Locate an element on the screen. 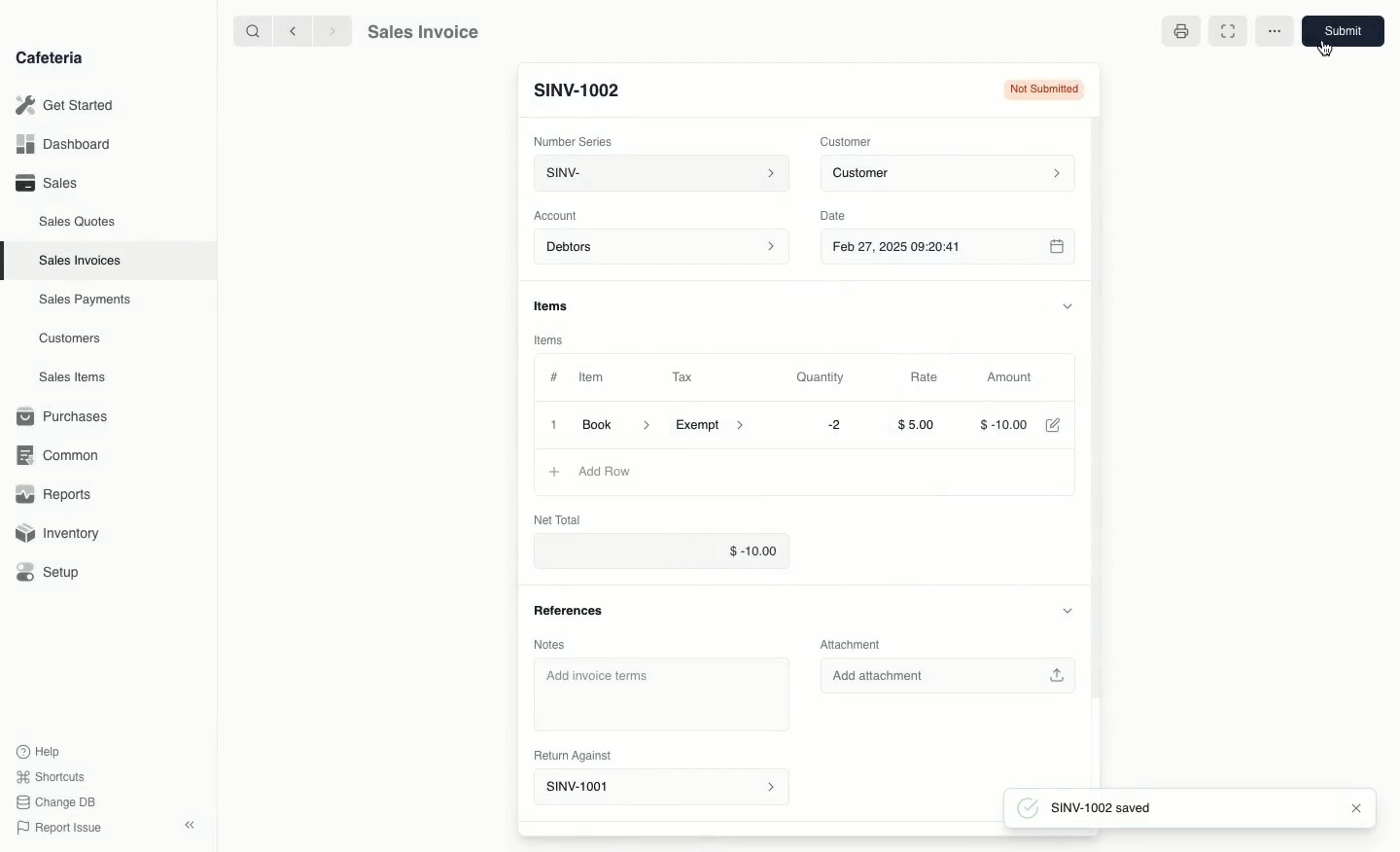 This screenshot has height=852, width=1400. SINV-1001 is located at coordinates (660, 785).